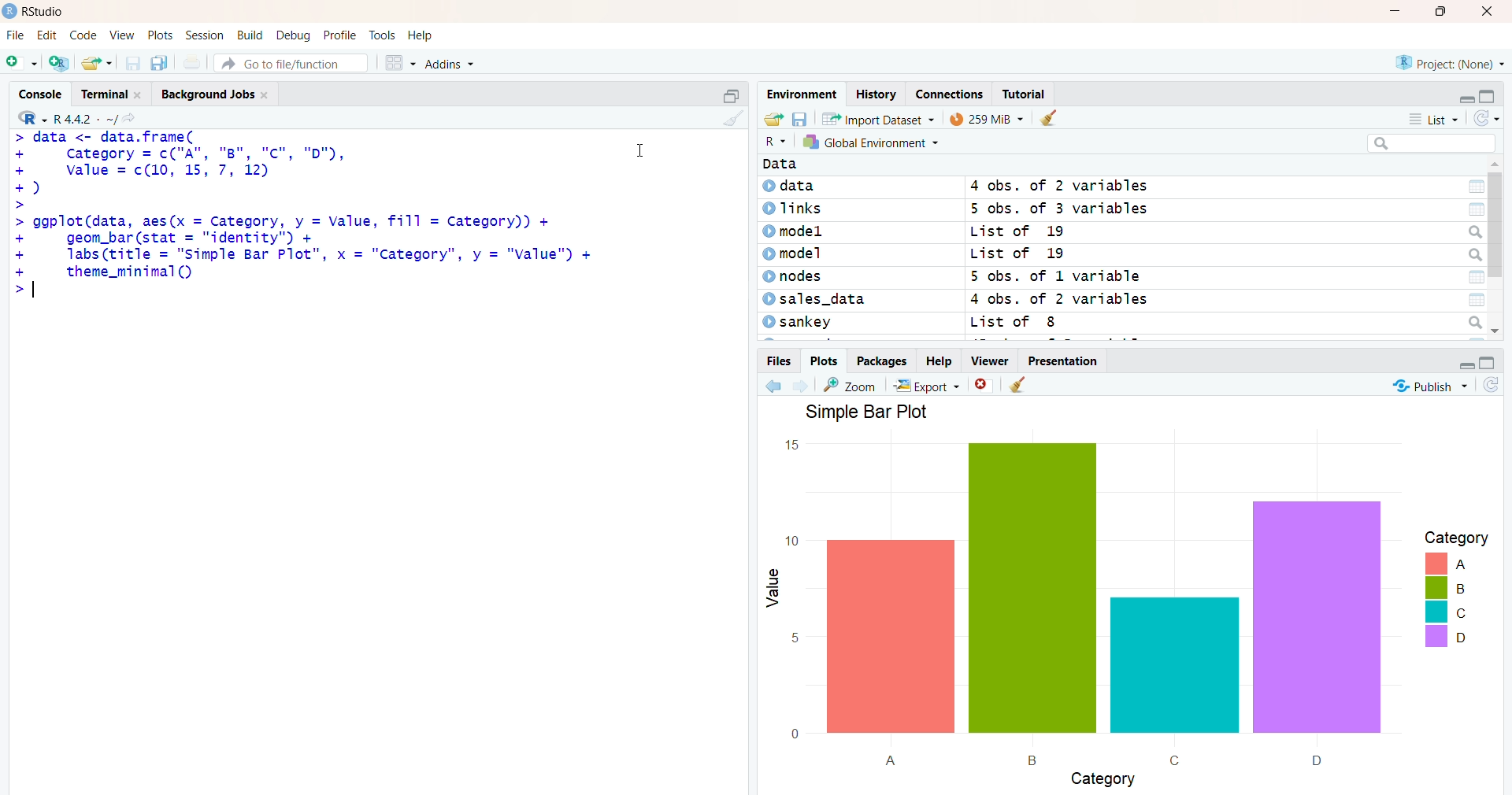 The image size is (1512, 795). I want to click on selected project - none, so click(1452, 62).